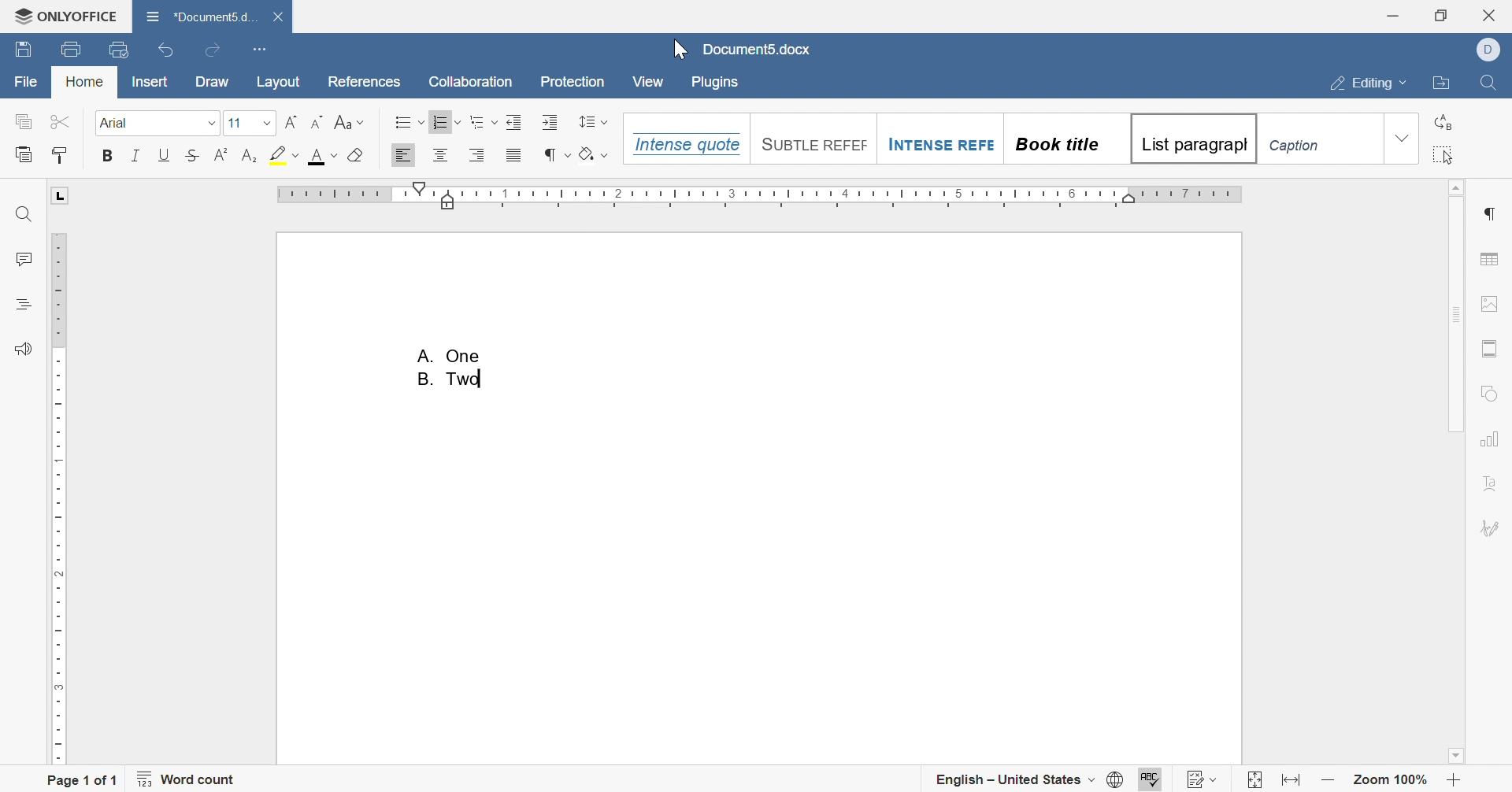 The width and height of the screenshot is (1512, 792). Describe the element at coordinates (248, 154) in the screenshot. I see `subscript` at that location.